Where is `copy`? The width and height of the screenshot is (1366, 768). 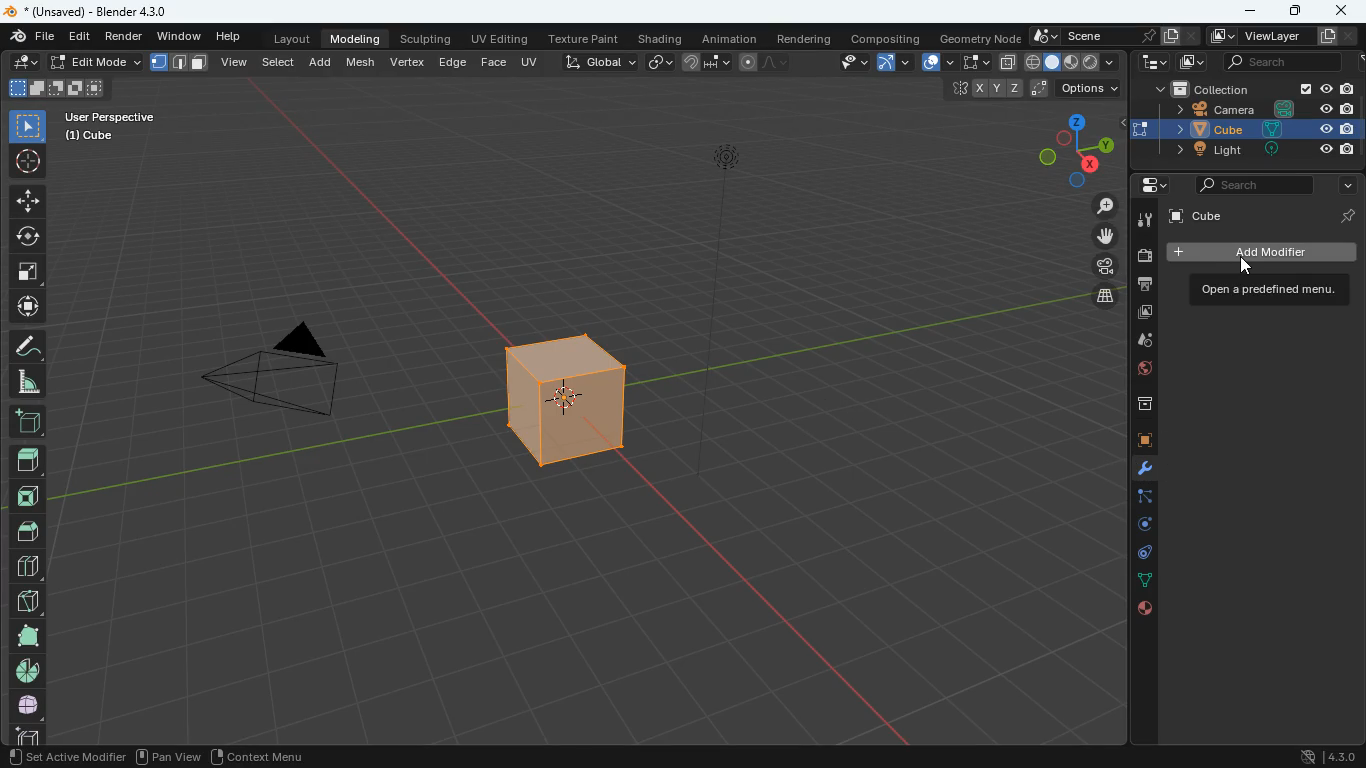
copy is located at coordinates (1008, 63).